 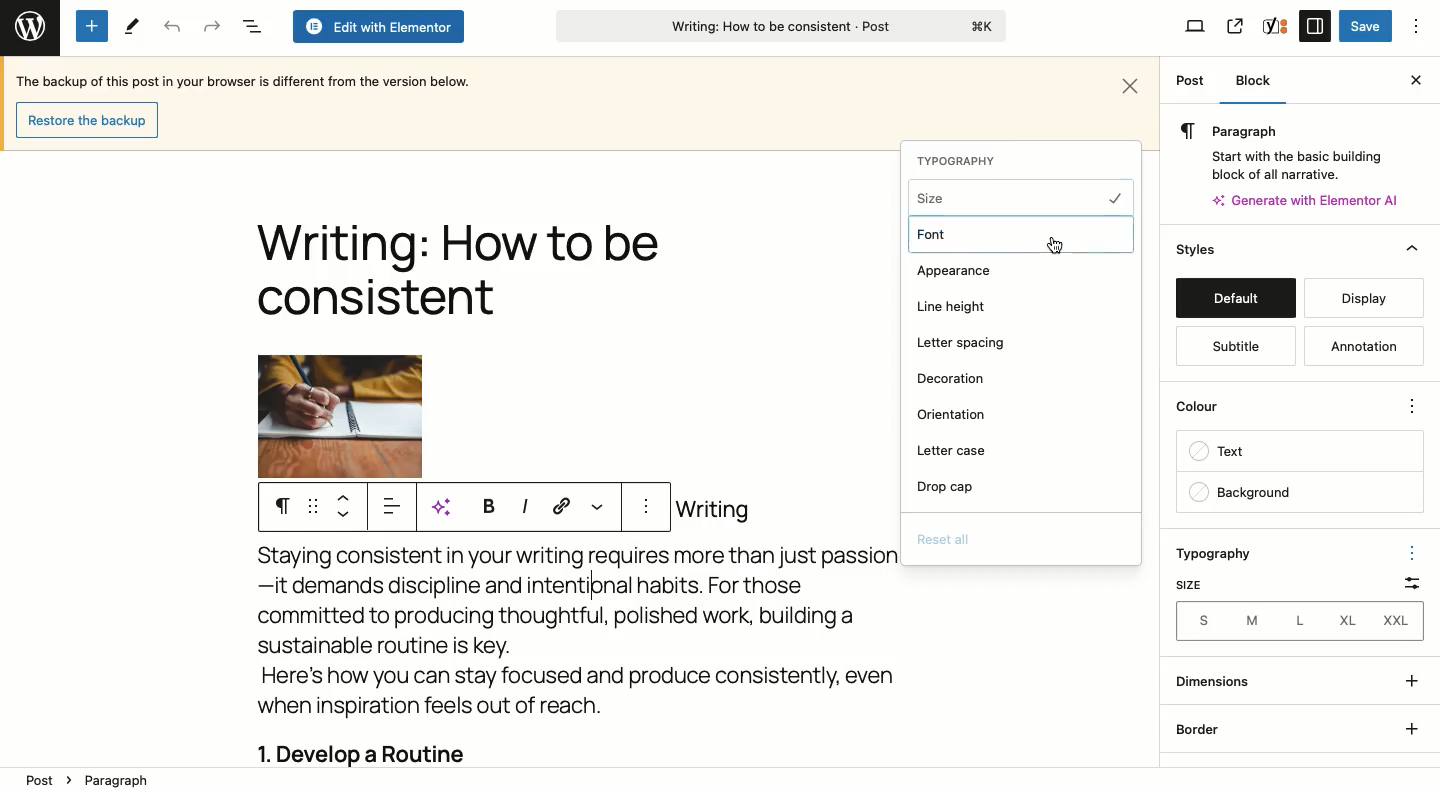 I want to click on Drag, so click(x=313, y=507).